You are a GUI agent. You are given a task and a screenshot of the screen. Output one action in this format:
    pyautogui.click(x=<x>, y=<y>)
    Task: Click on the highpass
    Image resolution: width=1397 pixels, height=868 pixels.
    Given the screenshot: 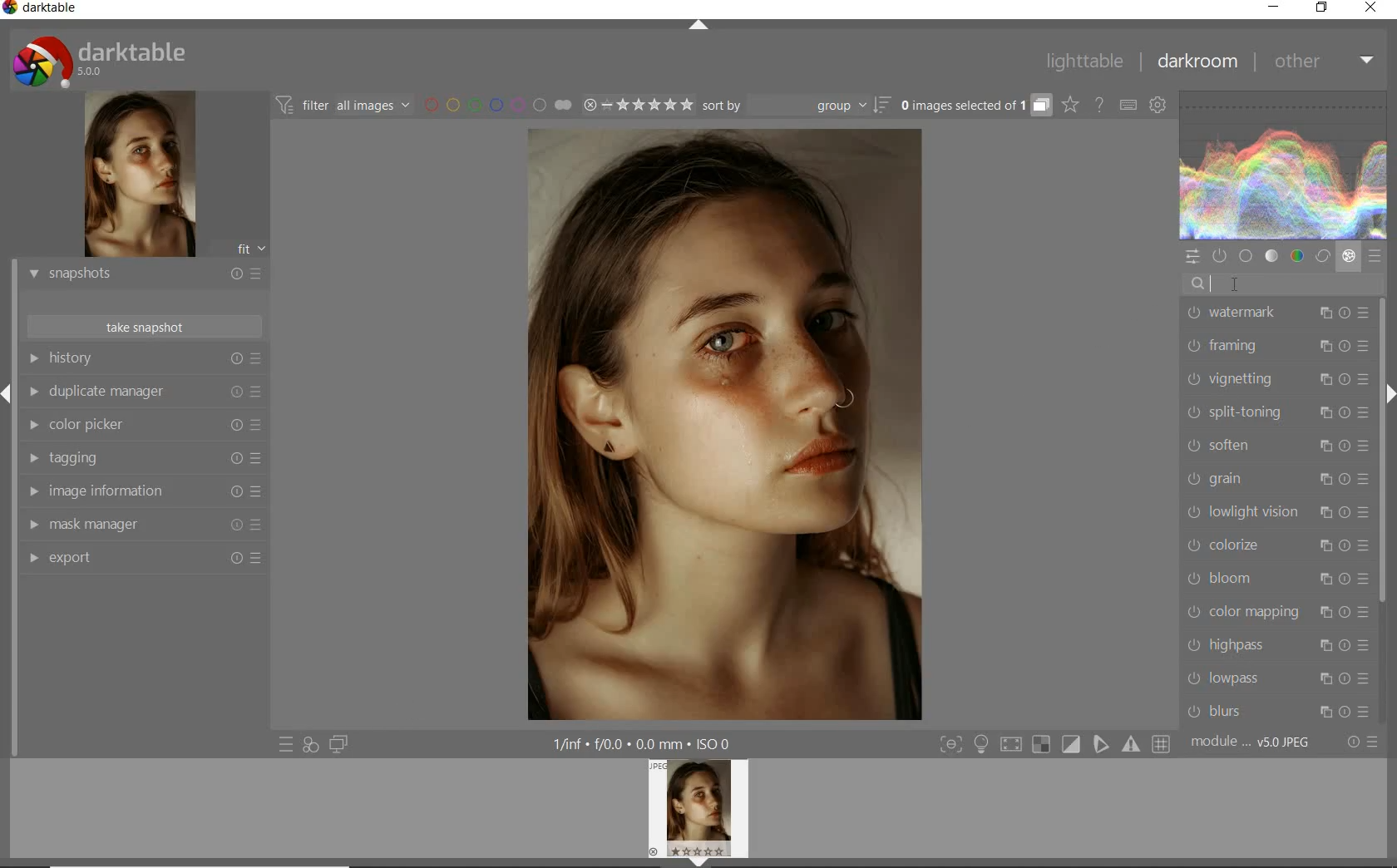 What is the action you would take?
    pyautogui.click(x=1278, y=645)
    